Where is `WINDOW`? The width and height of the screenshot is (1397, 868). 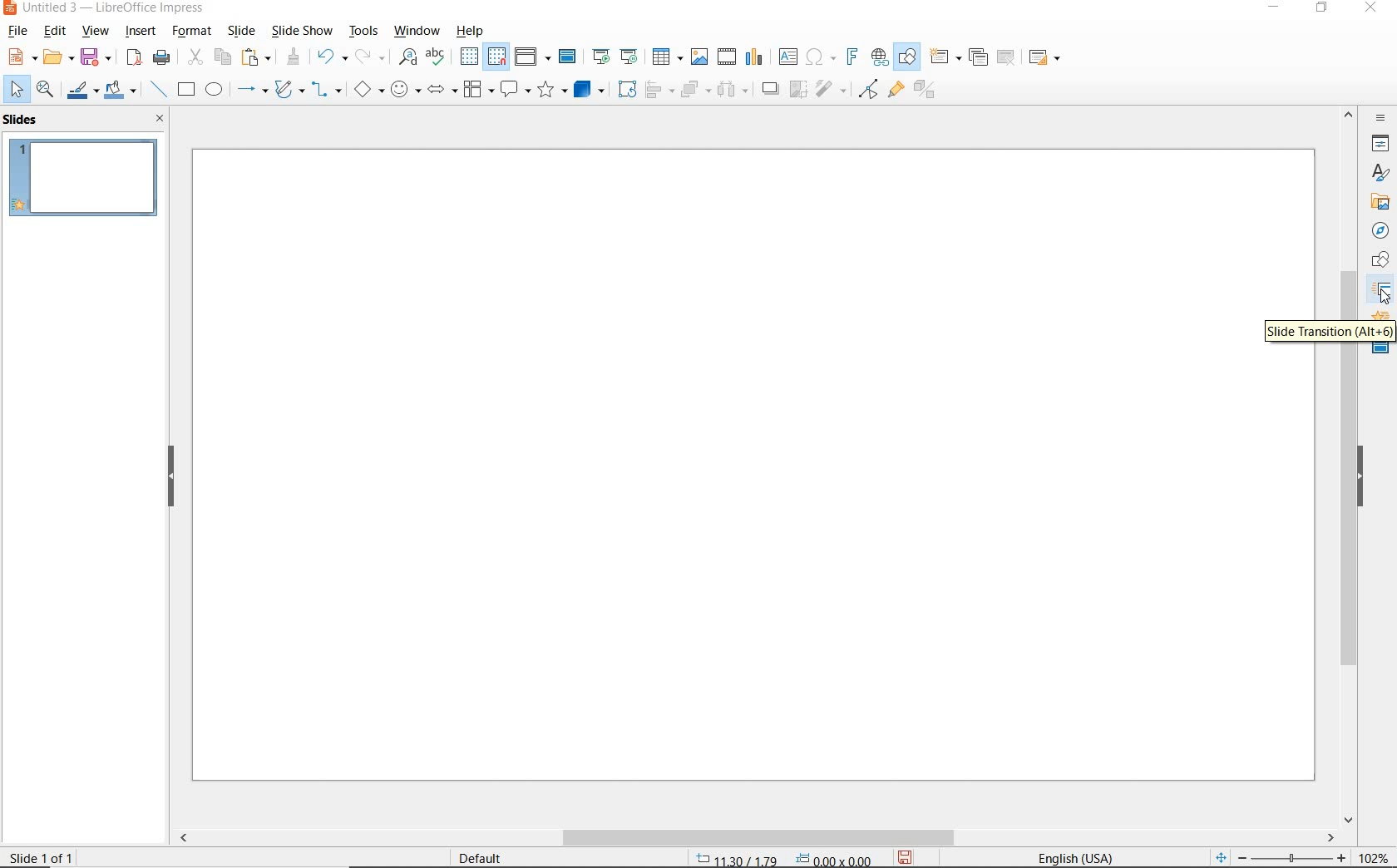 WINDOW is located at coordinates (417, 30).